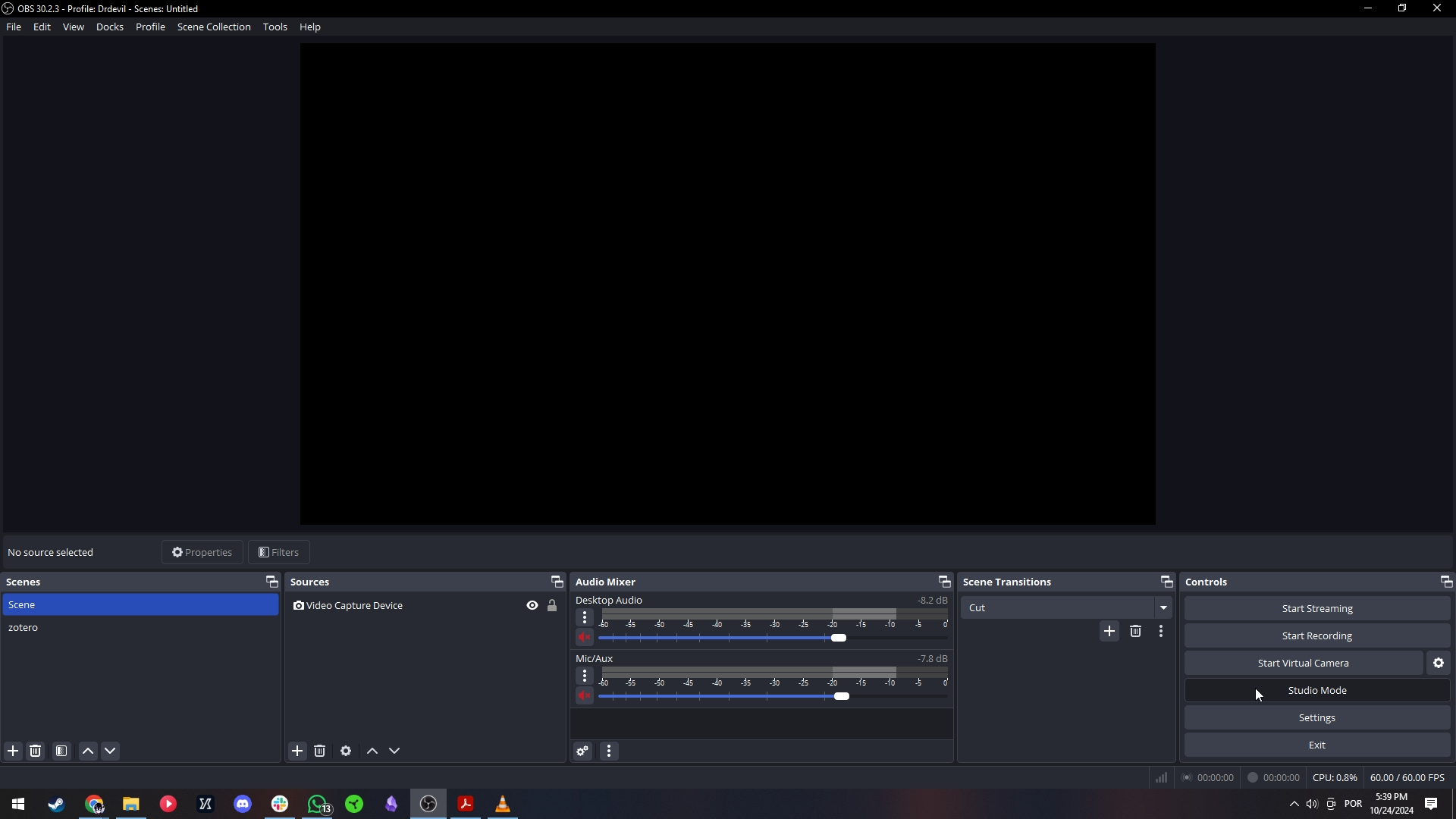  What do you see at coordinates (583, 752) in the screenshot?
I see `Advanced audio properties` at bounding box center [583, 752].